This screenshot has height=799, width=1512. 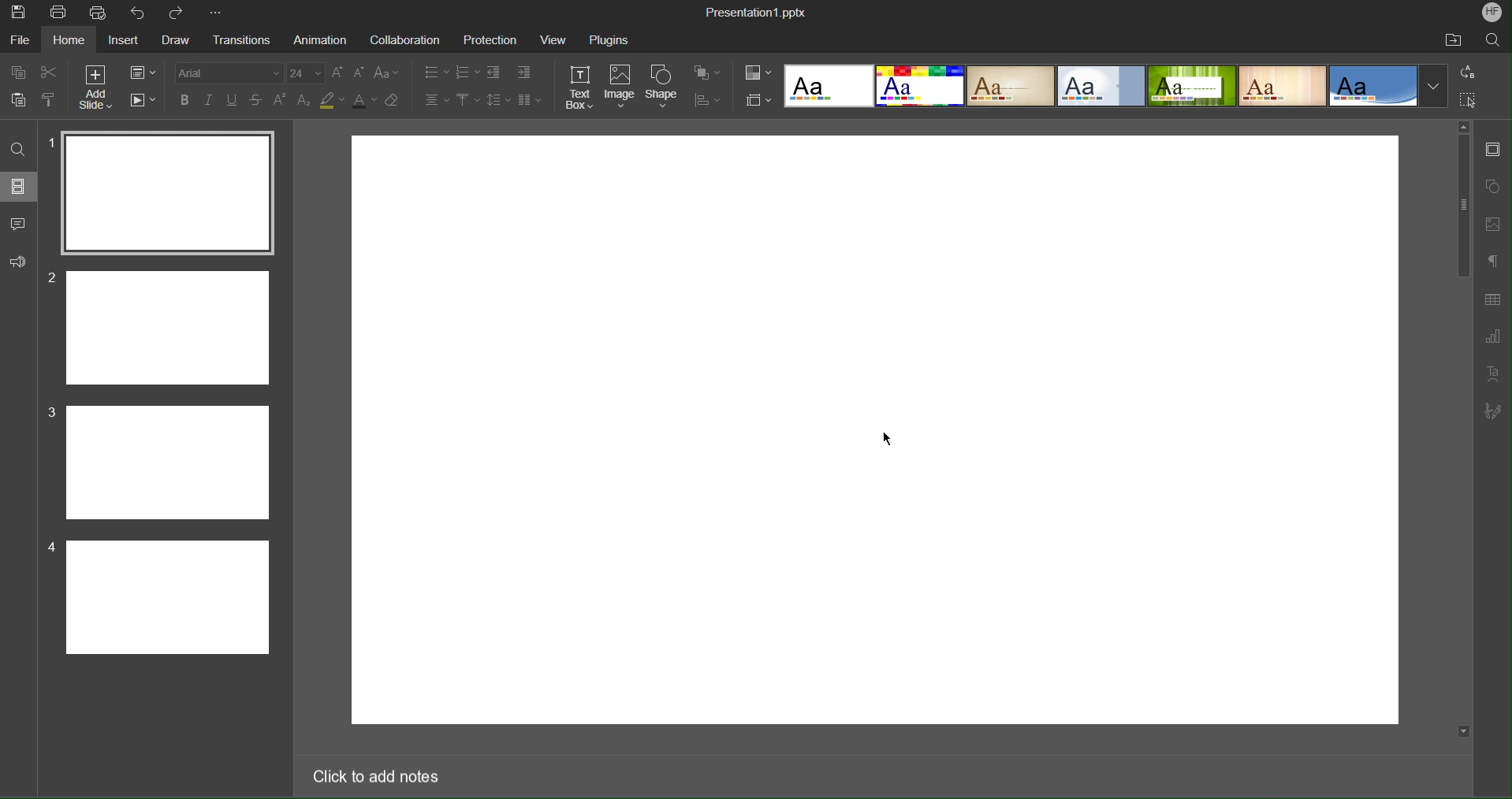 I want to click on scroll up, so click(x=1463, y=125).